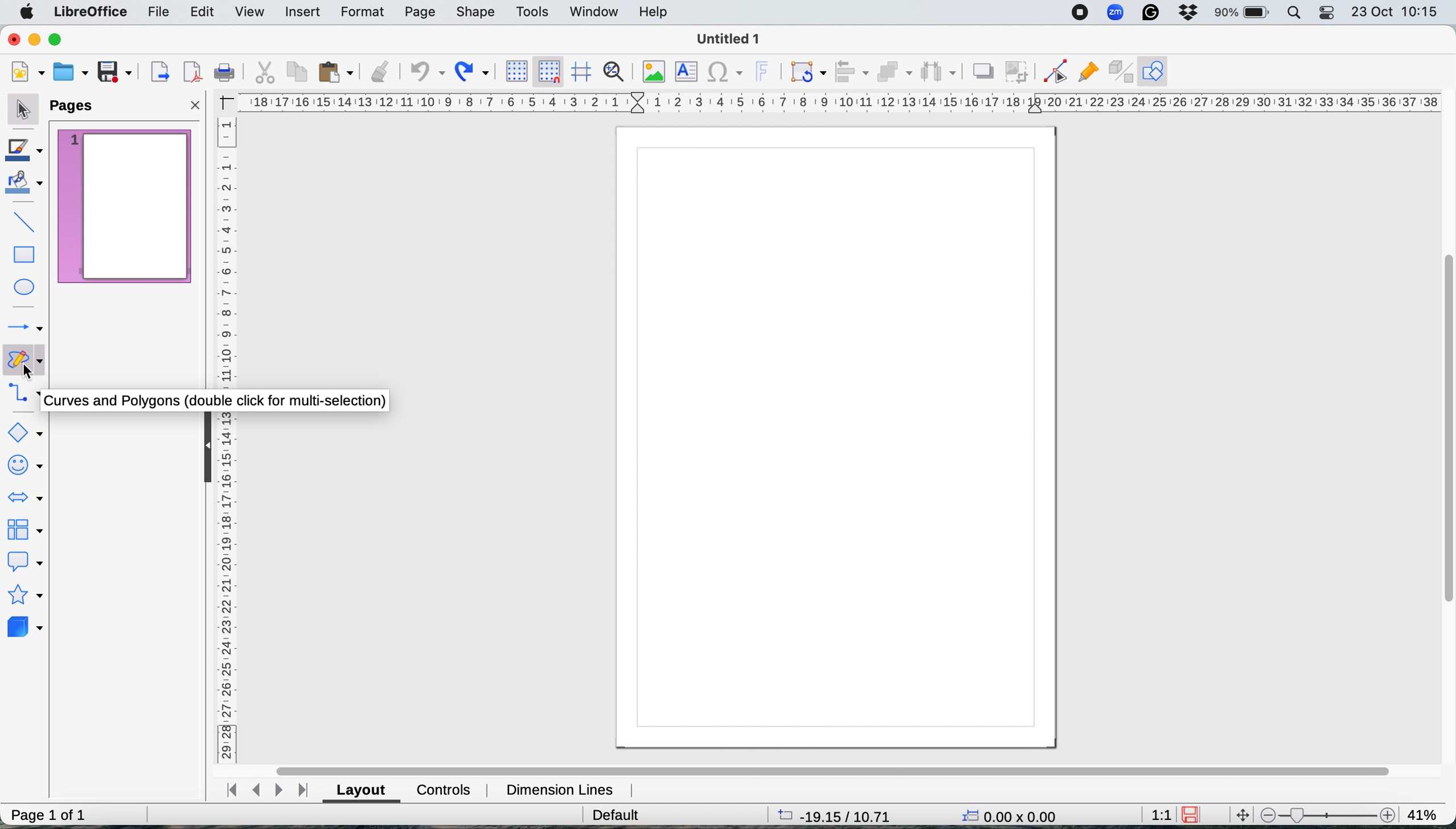 Image resolution: width=1456 pixels, height=829 pixels. What do you see at coordinates (1191, 13) in the screenshot?
I see `dropbox` at bounding box center [1191, 13].